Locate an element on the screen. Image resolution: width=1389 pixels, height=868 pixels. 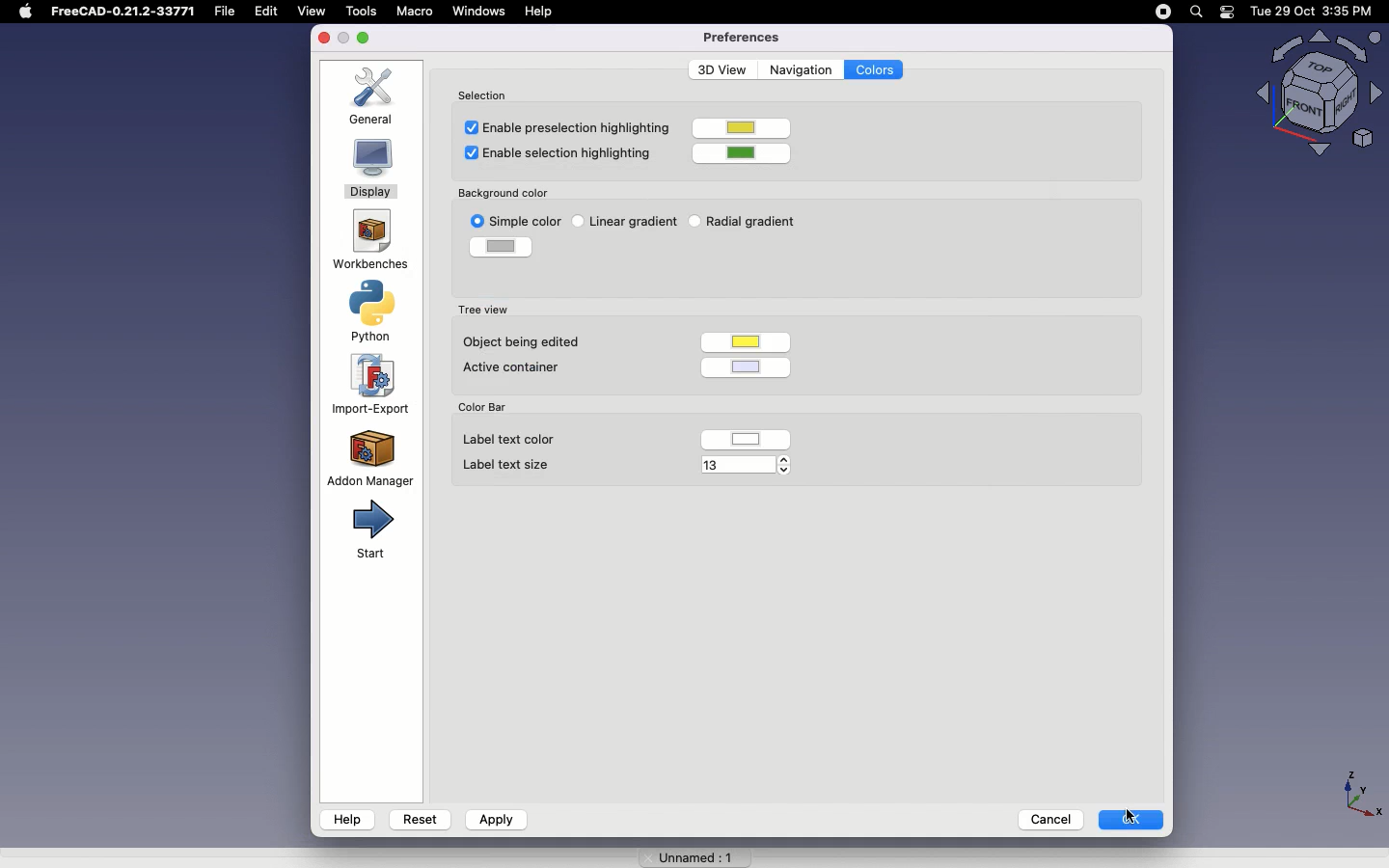
Workbenches is located at coordinates (368, 241).